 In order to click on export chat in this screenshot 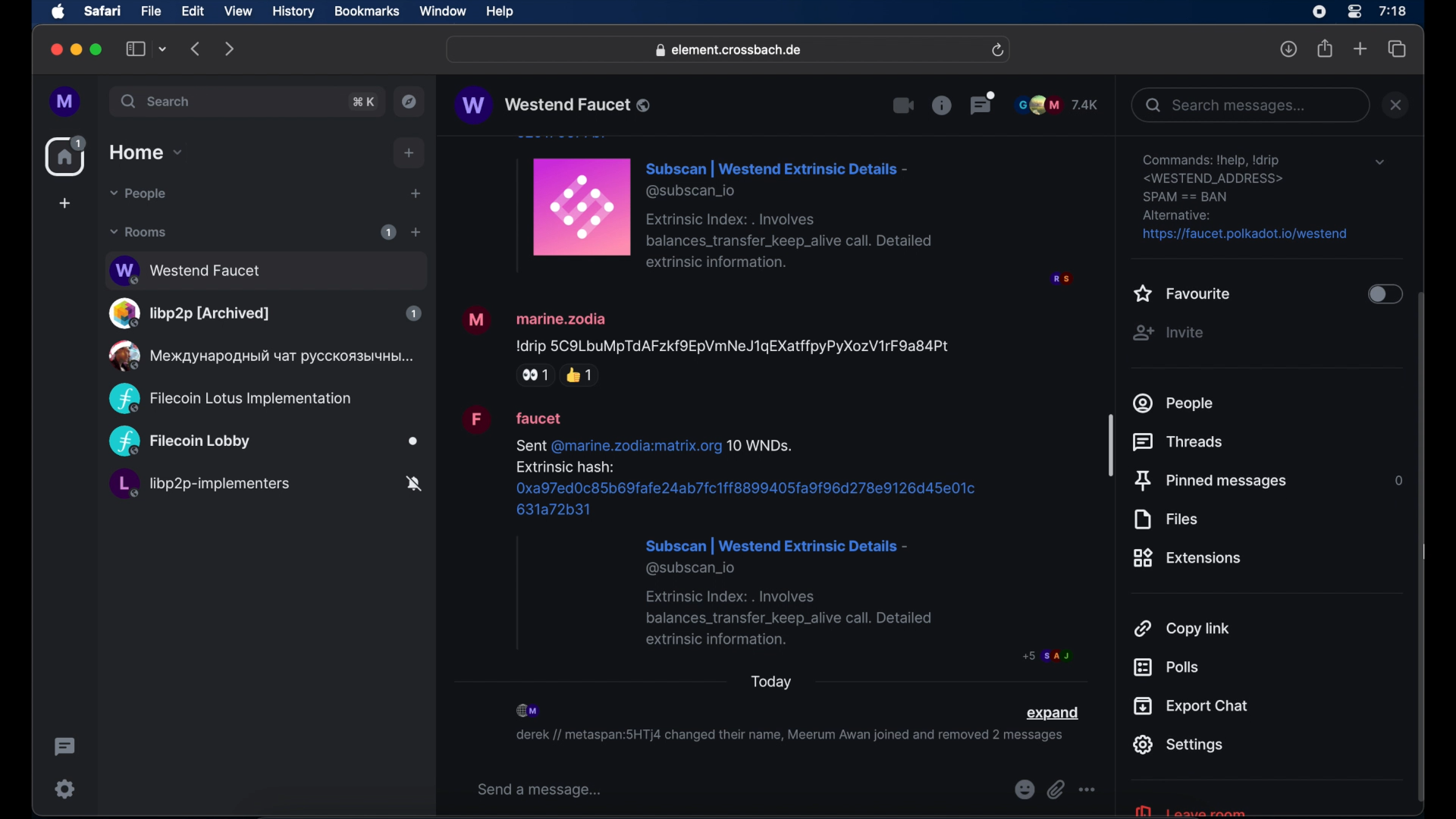, I will do `click(1191, 706)`.